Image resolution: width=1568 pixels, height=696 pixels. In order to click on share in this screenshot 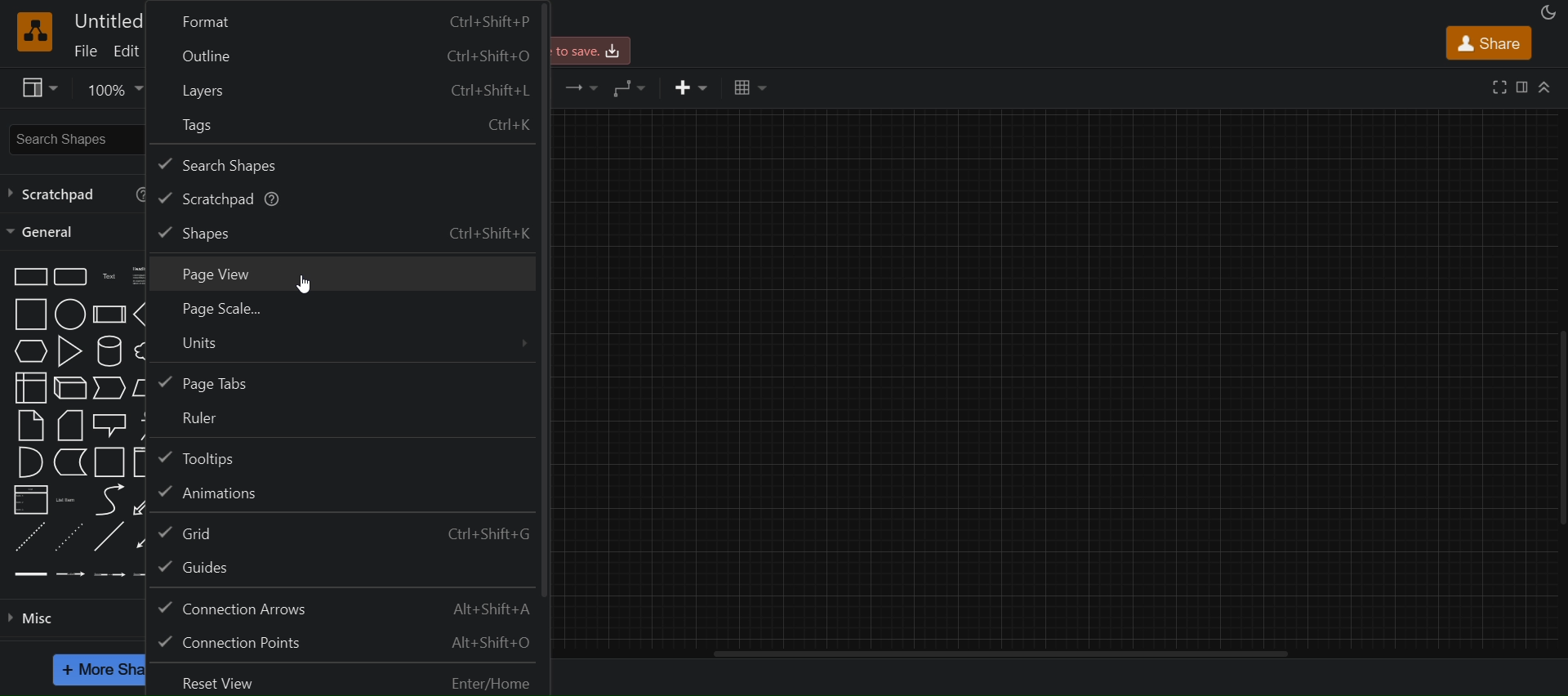, I will do `click(1490, 41)`.